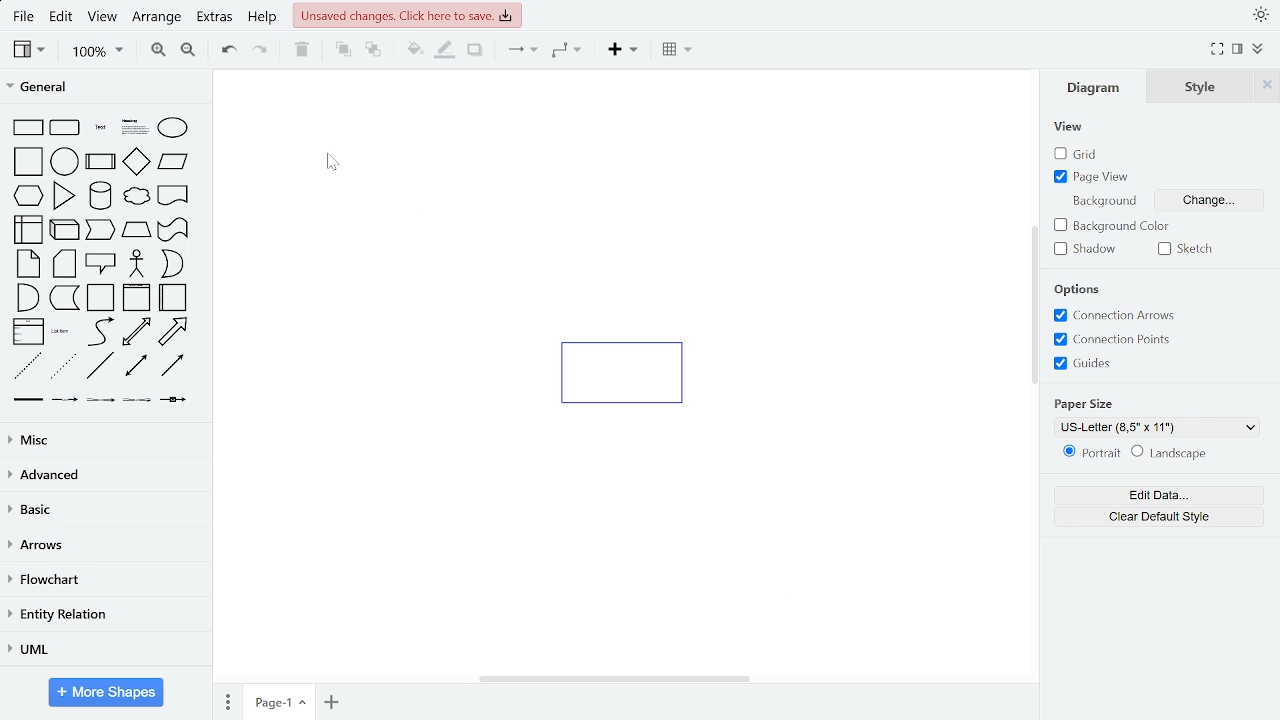 The image size is (1280, 720). I want to click on fill line, so click(446, 52).